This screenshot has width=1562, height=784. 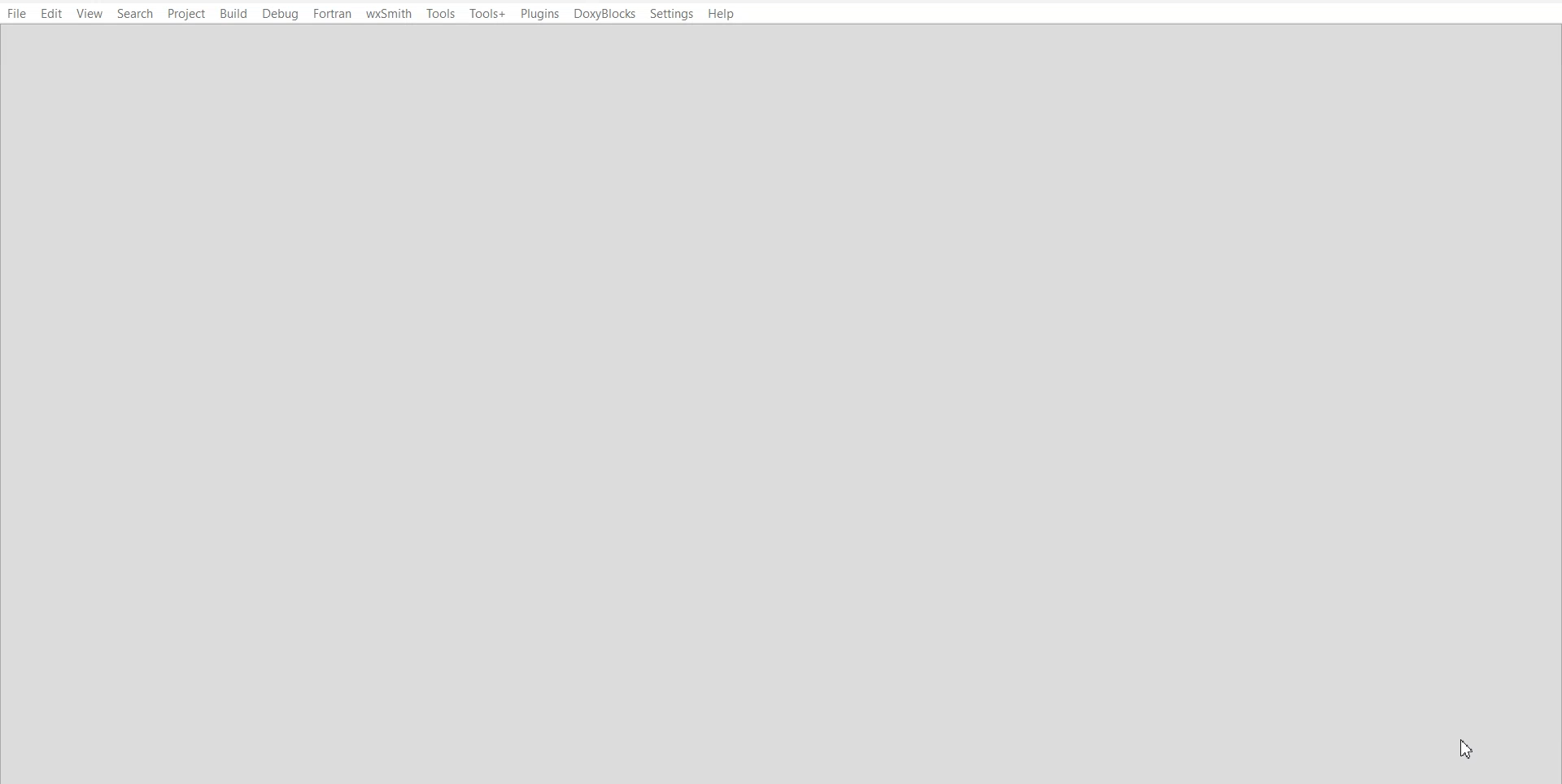 I want to click on Build, so click(x=233, y=14).